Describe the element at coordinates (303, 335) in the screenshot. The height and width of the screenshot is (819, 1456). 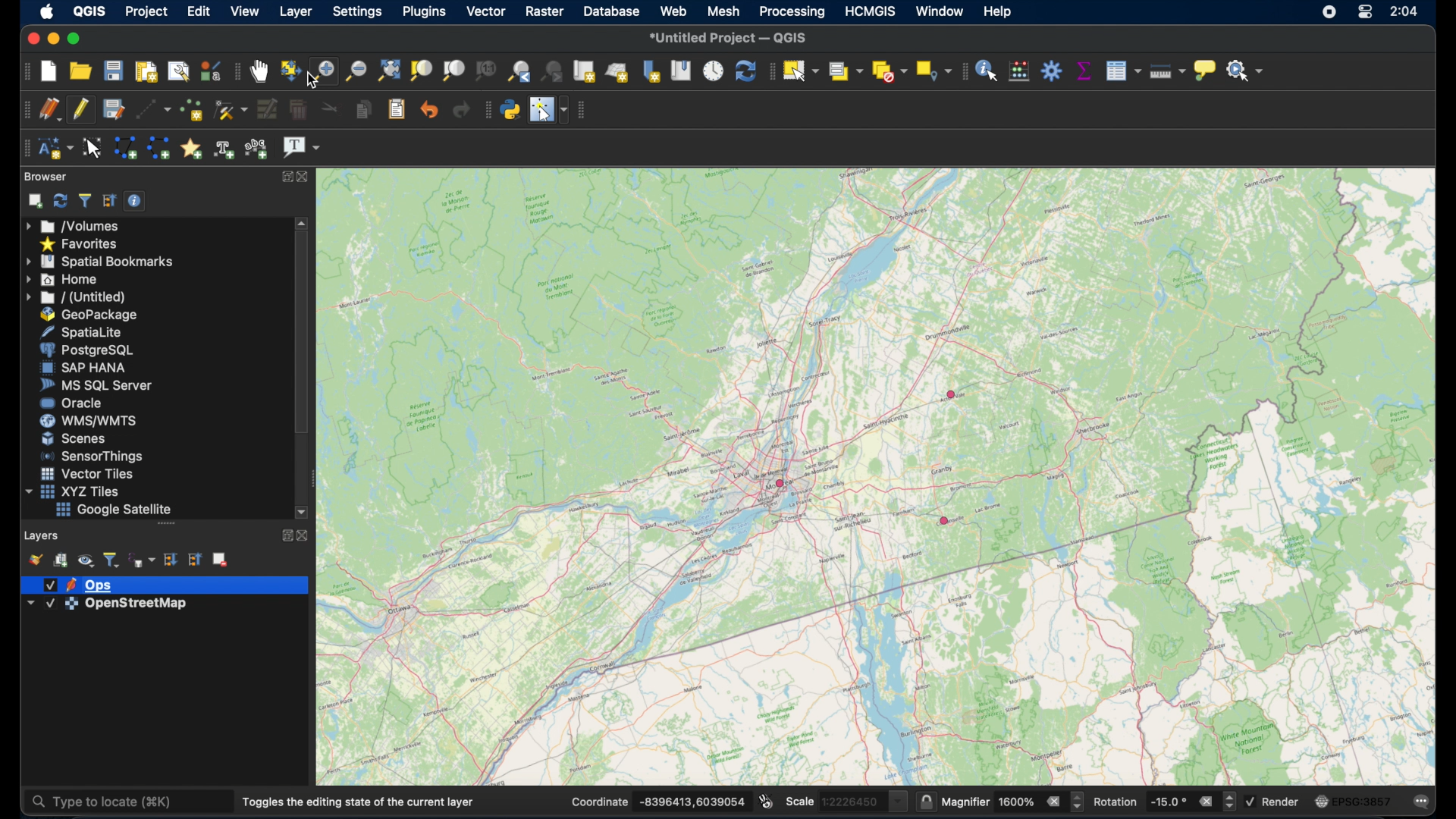
I see `scroll box` at that location.